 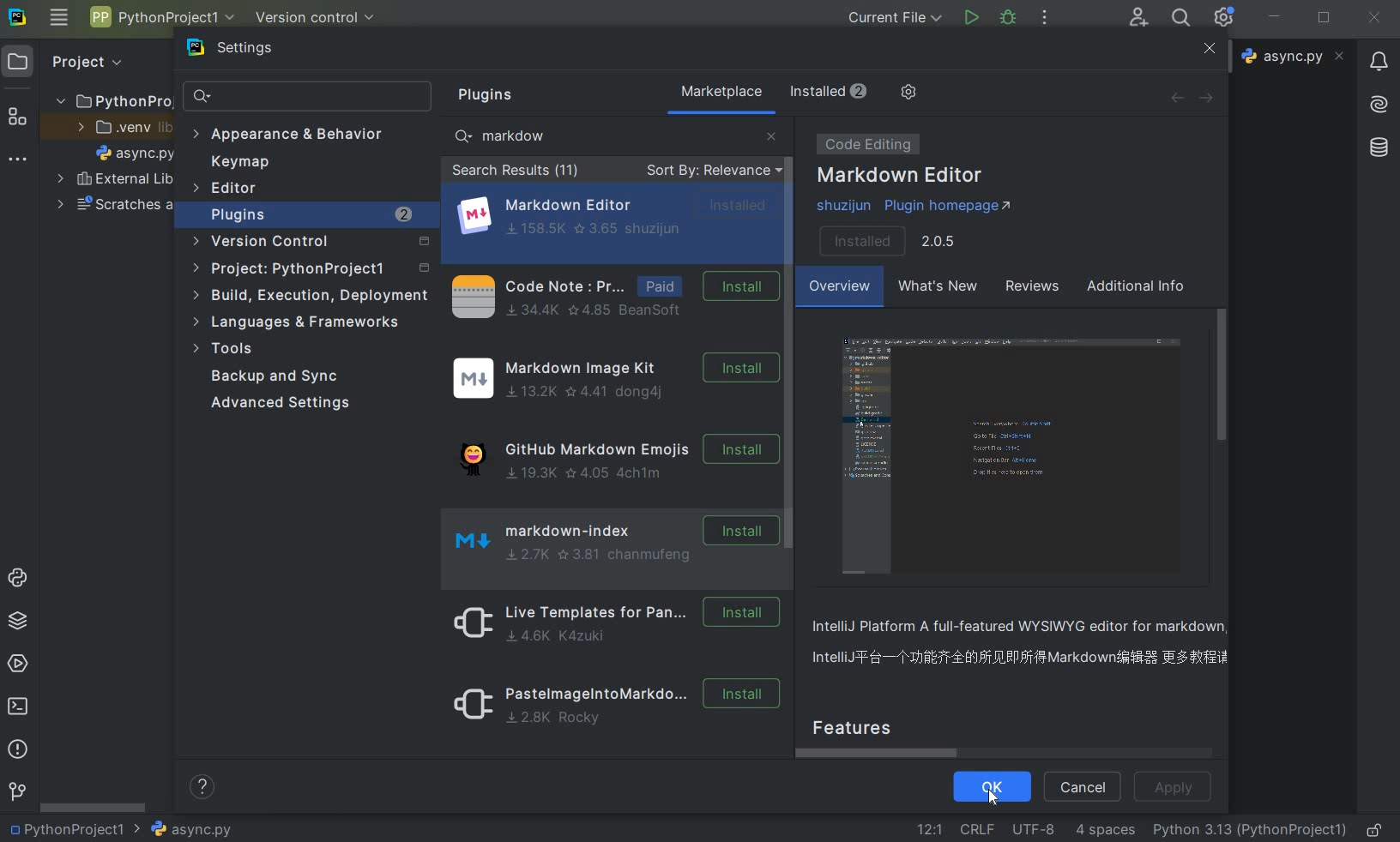 I want to click on project folder, so click(x=108, y=100).